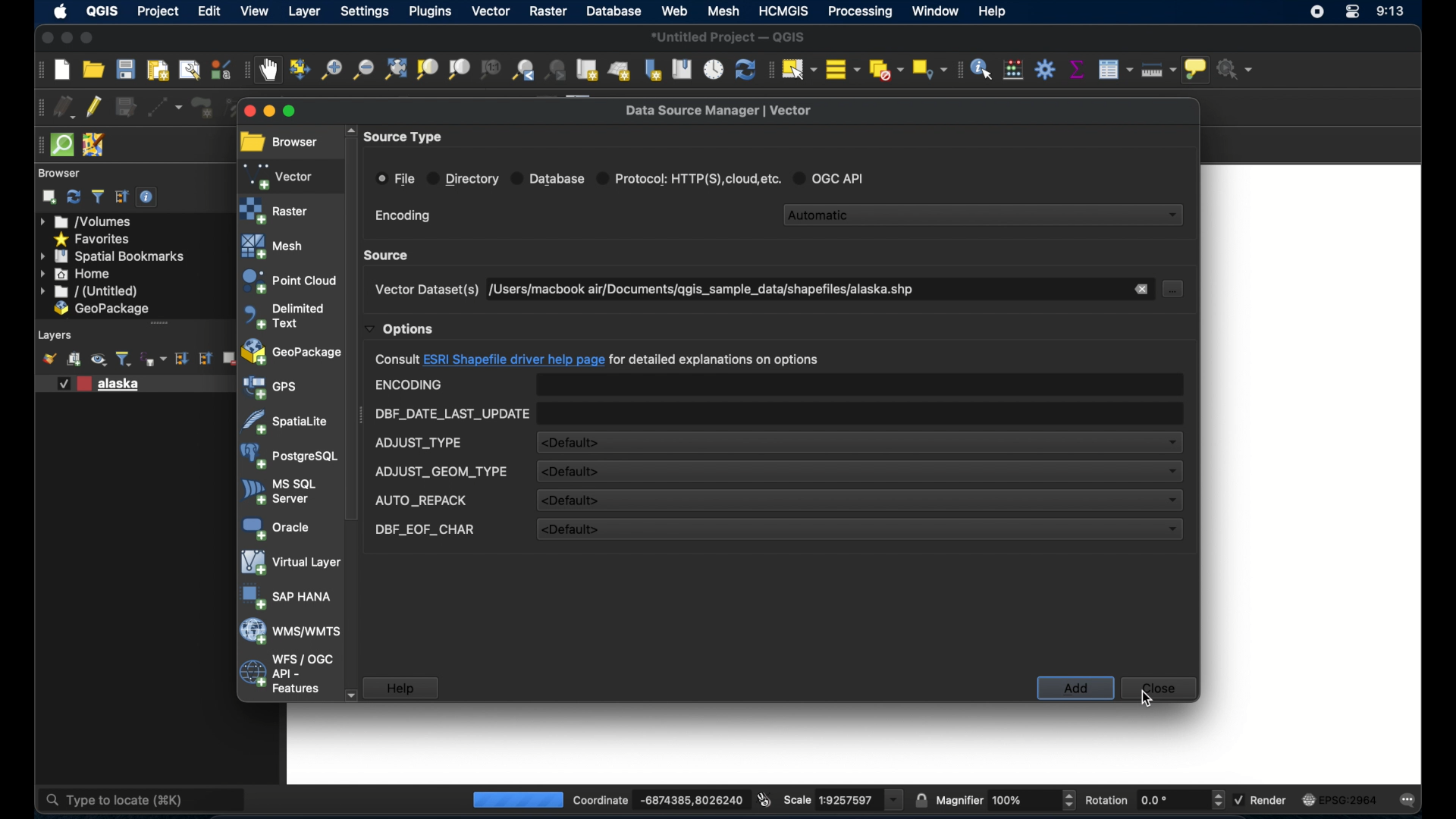 The height and width of the screenshot is (819, 1456). What do you see at coordinates (394, 70) in the screenshot?
I see `zoom full` at bounding box center [394, 70].